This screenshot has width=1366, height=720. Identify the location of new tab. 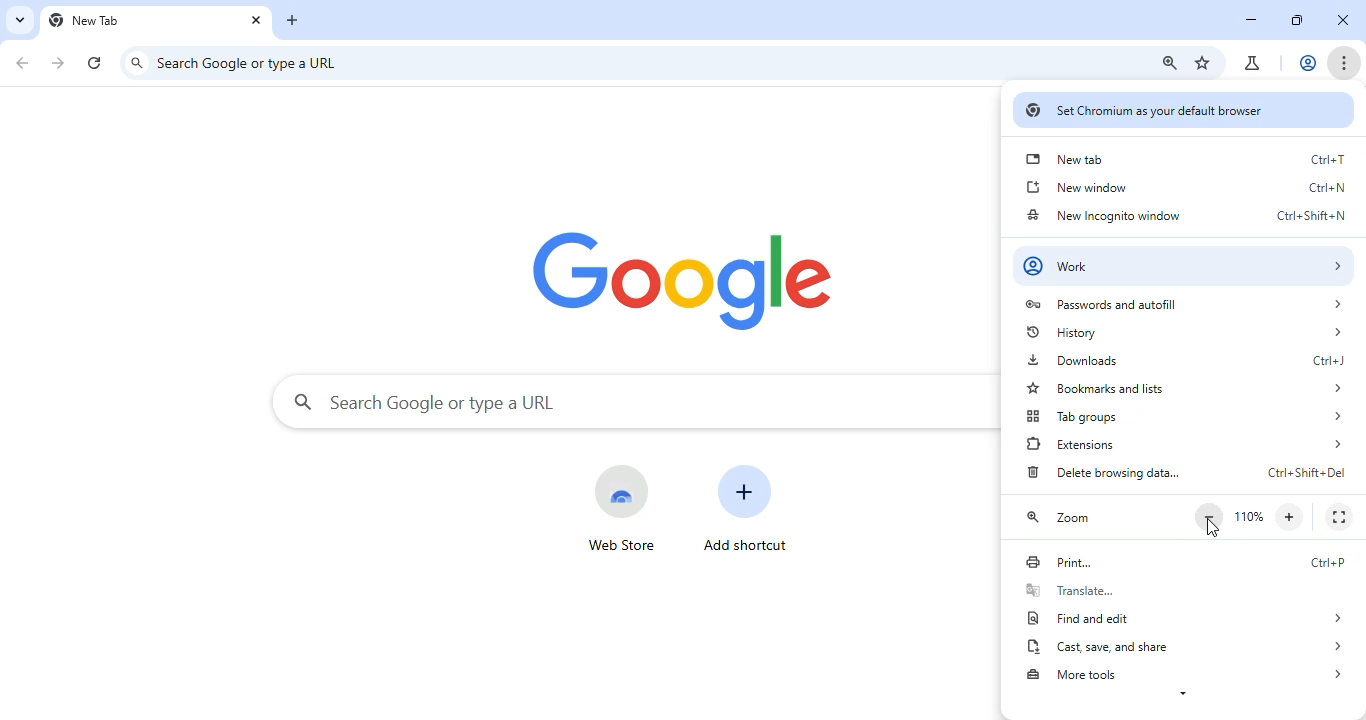
(88, 21).